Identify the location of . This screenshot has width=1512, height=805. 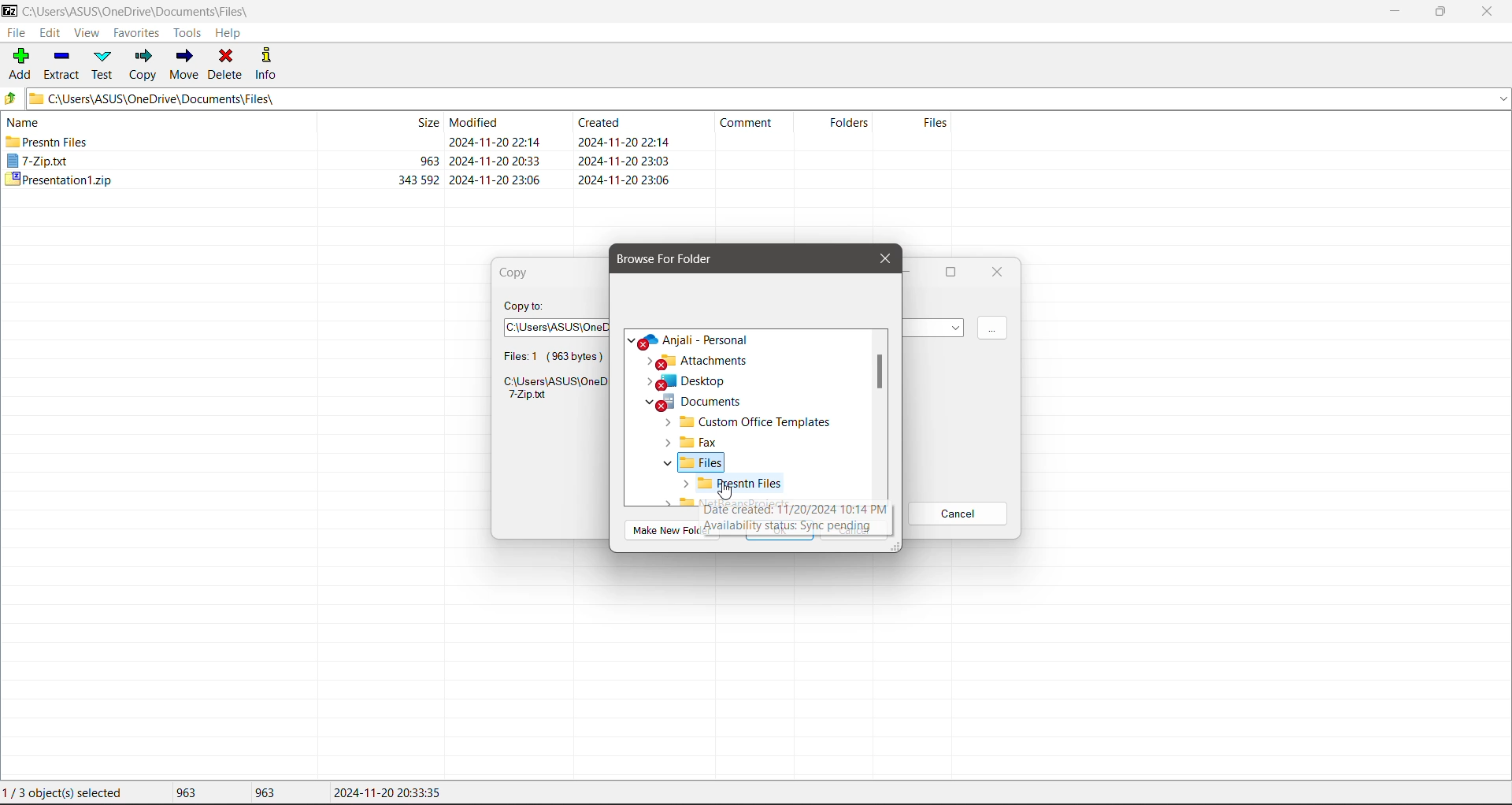
(660, 531).